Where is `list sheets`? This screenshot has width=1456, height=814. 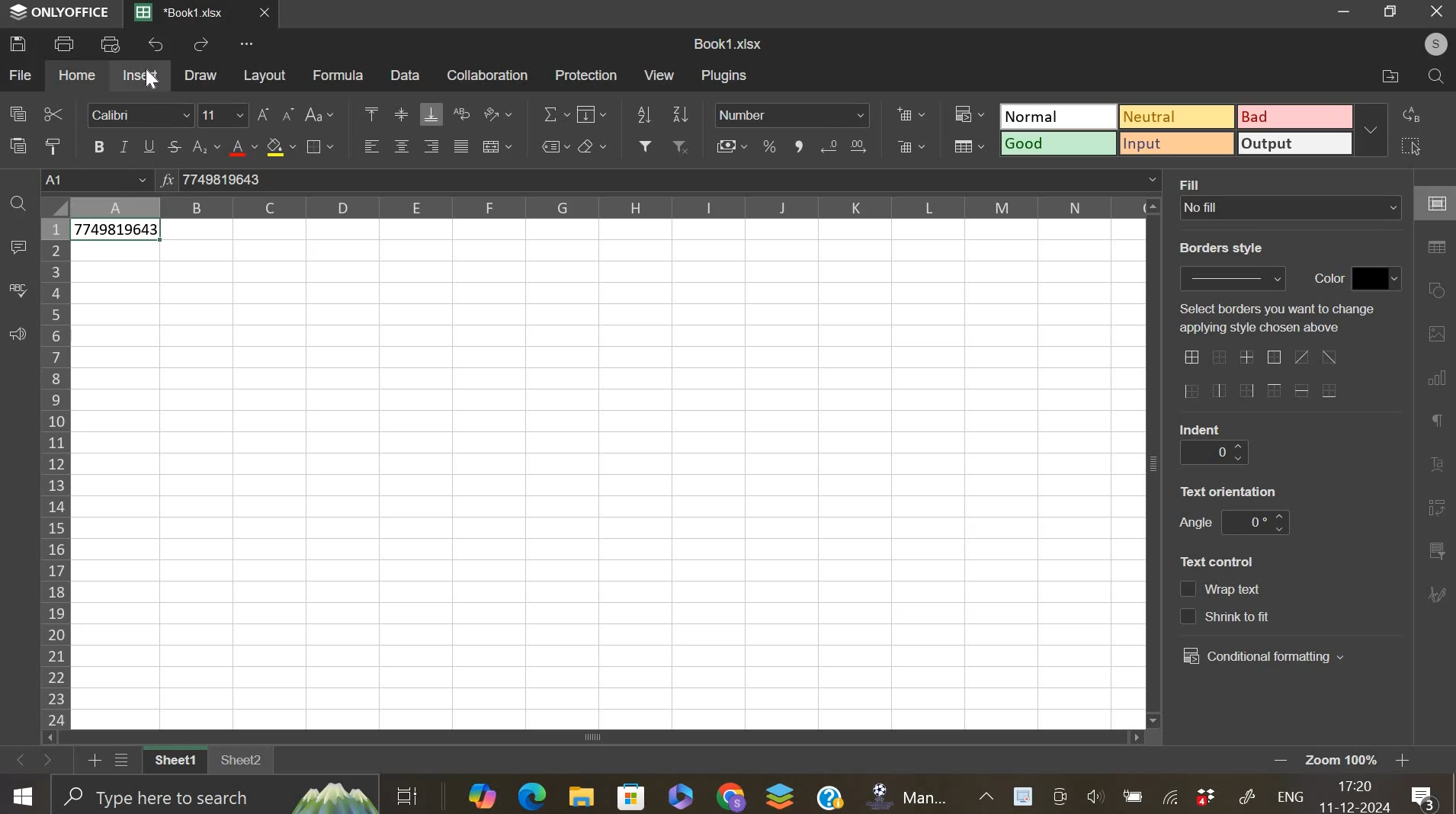 list sheets is located at coordinates (126, 761).